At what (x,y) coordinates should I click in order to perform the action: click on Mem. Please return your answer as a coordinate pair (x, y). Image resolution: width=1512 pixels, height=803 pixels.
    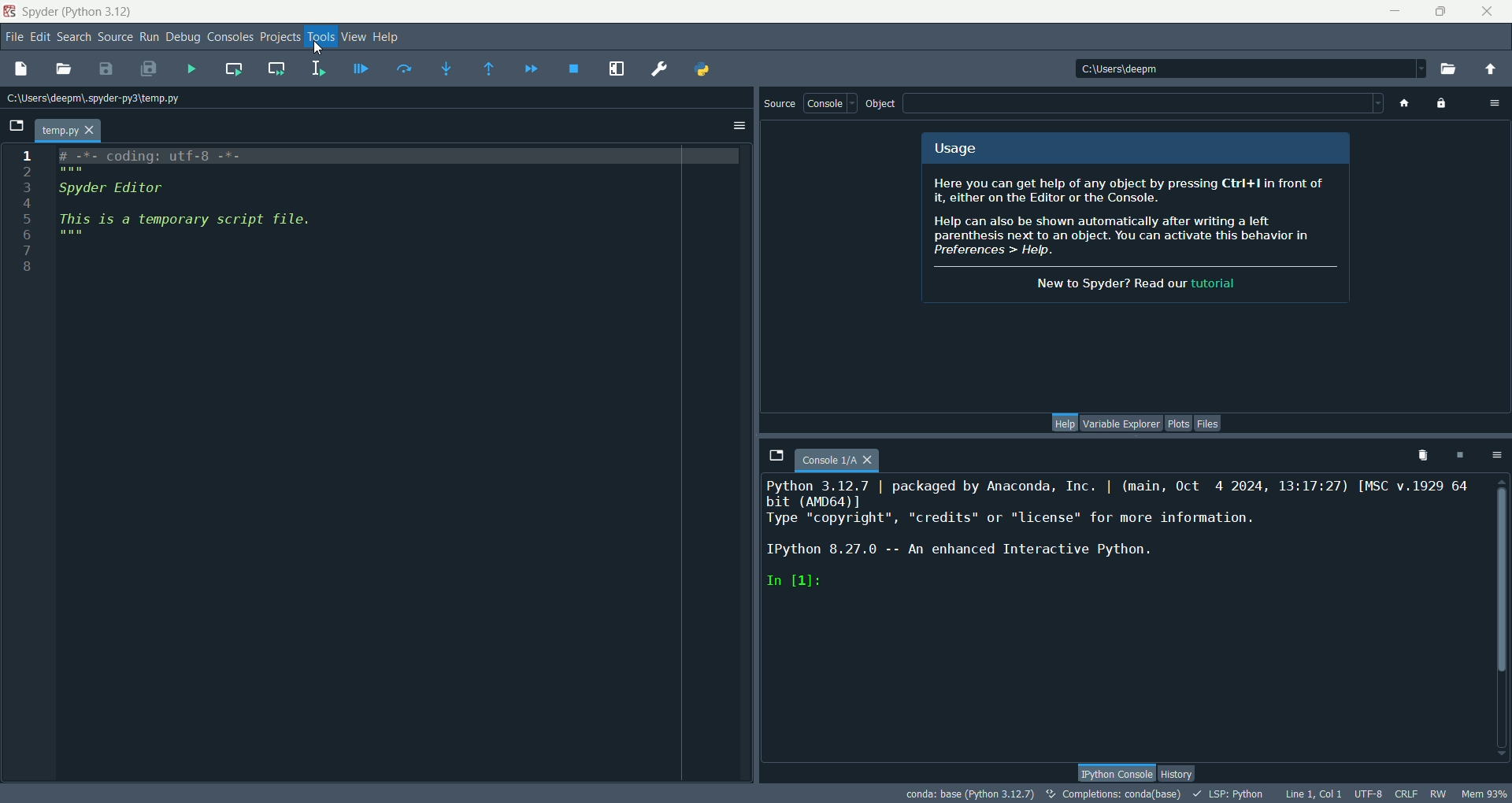
    Looking at the image, I should click on (1483, 792).